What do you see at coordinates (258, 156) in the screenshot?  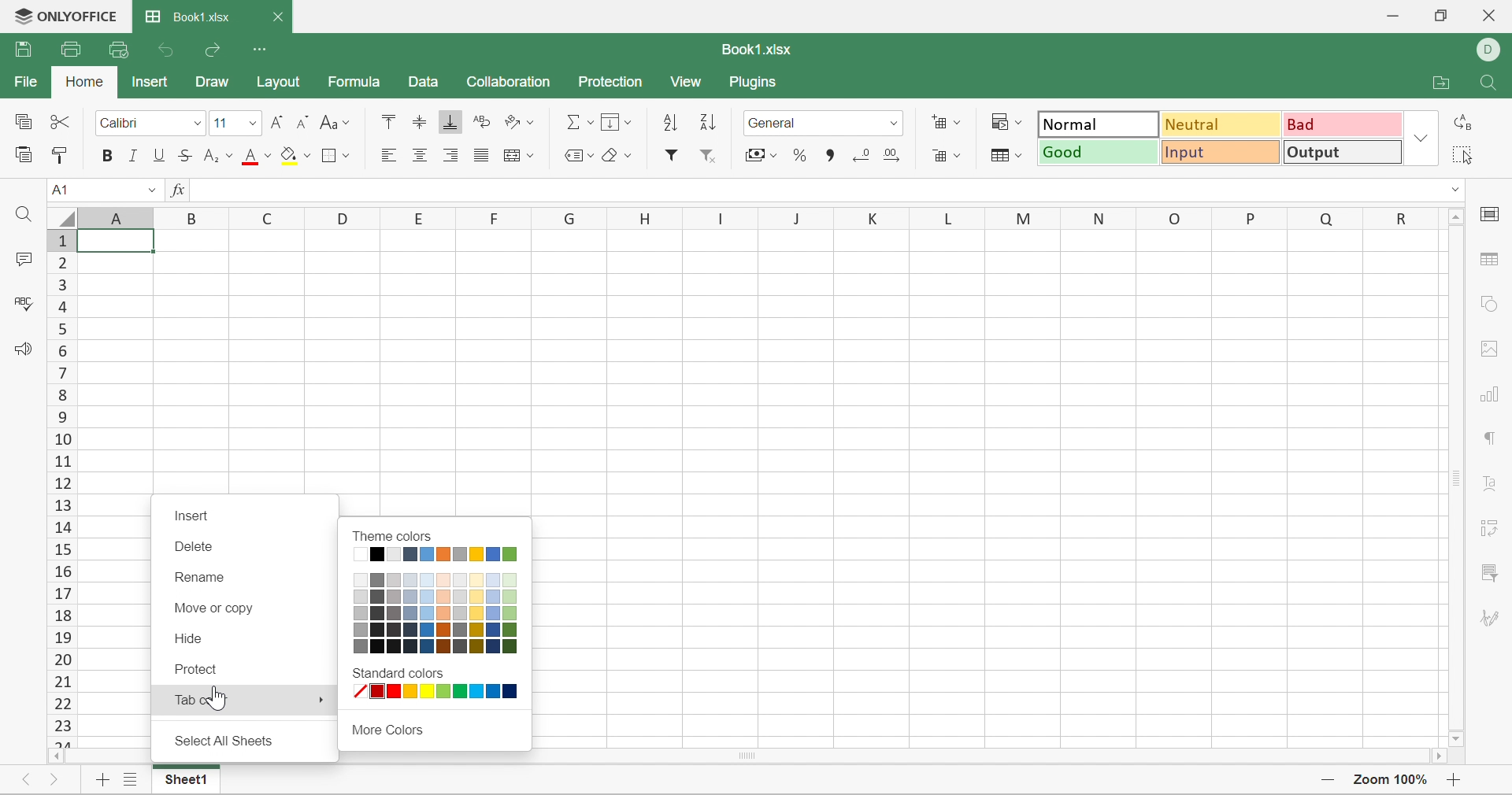 I see `Font color` at bounding box center [258, 156].